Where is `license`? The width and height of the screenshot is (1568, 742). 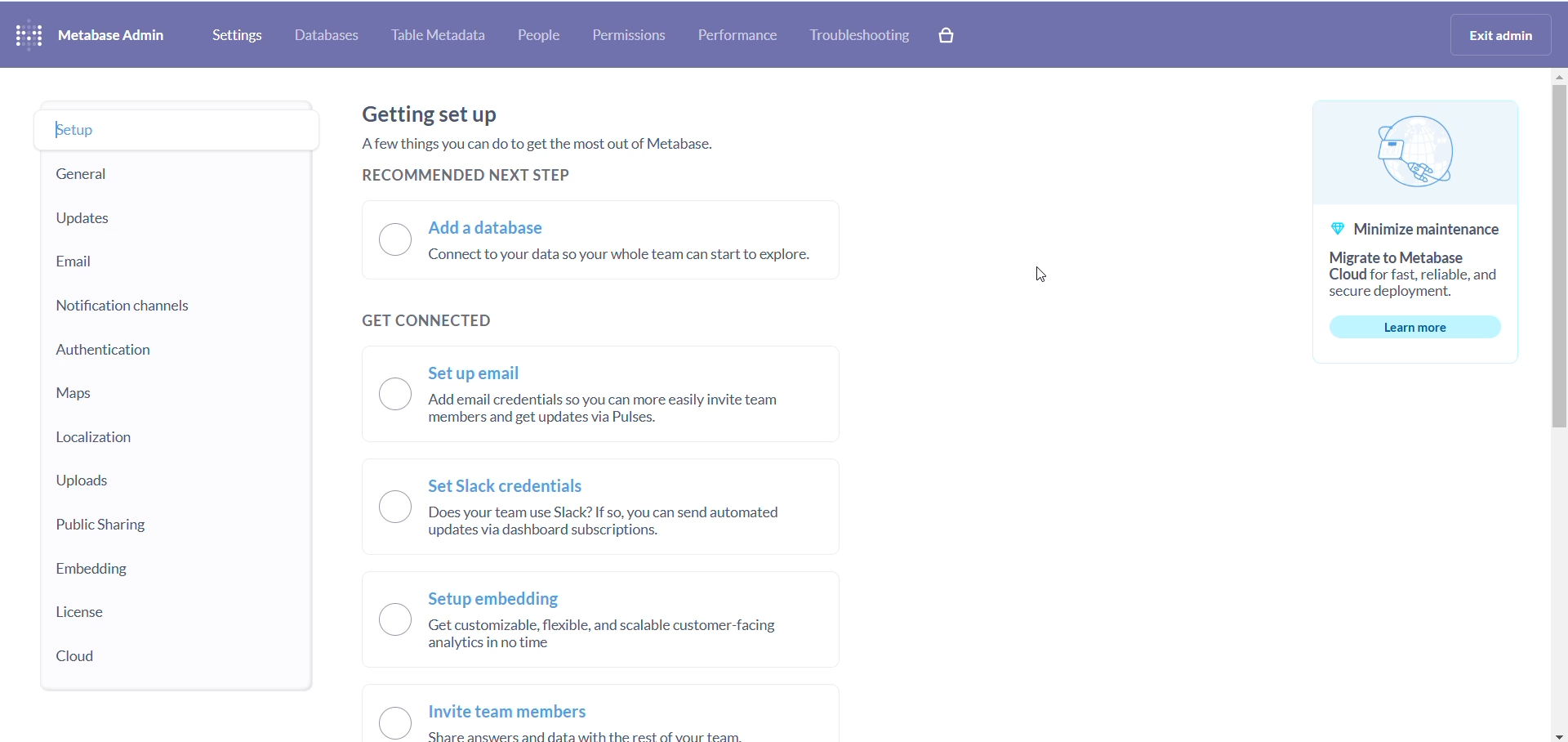 license is located at coordinates (107, 610).